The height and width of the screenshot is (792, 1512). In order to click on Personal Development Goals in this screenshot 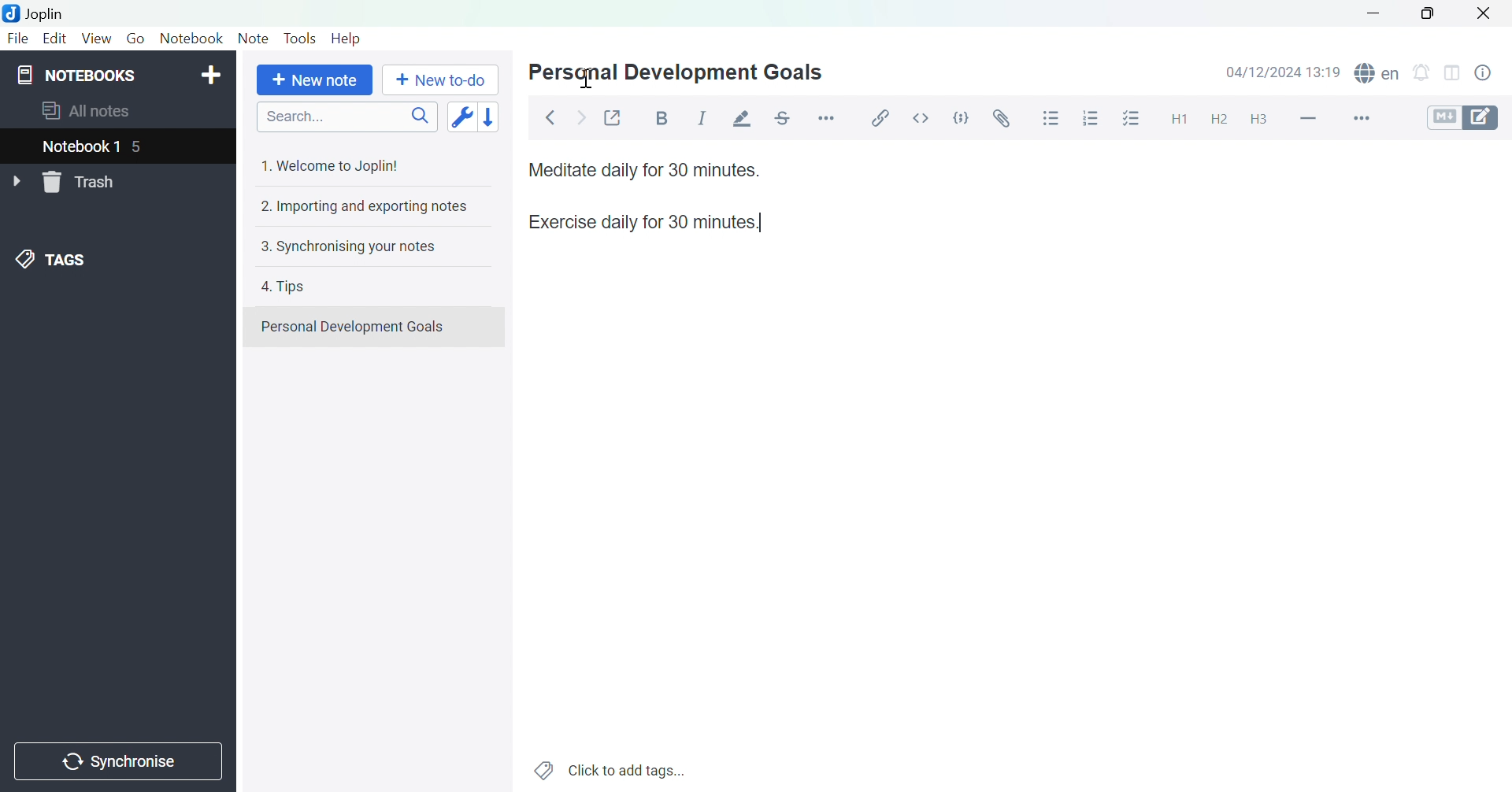, I will do `click(684, 72)`.